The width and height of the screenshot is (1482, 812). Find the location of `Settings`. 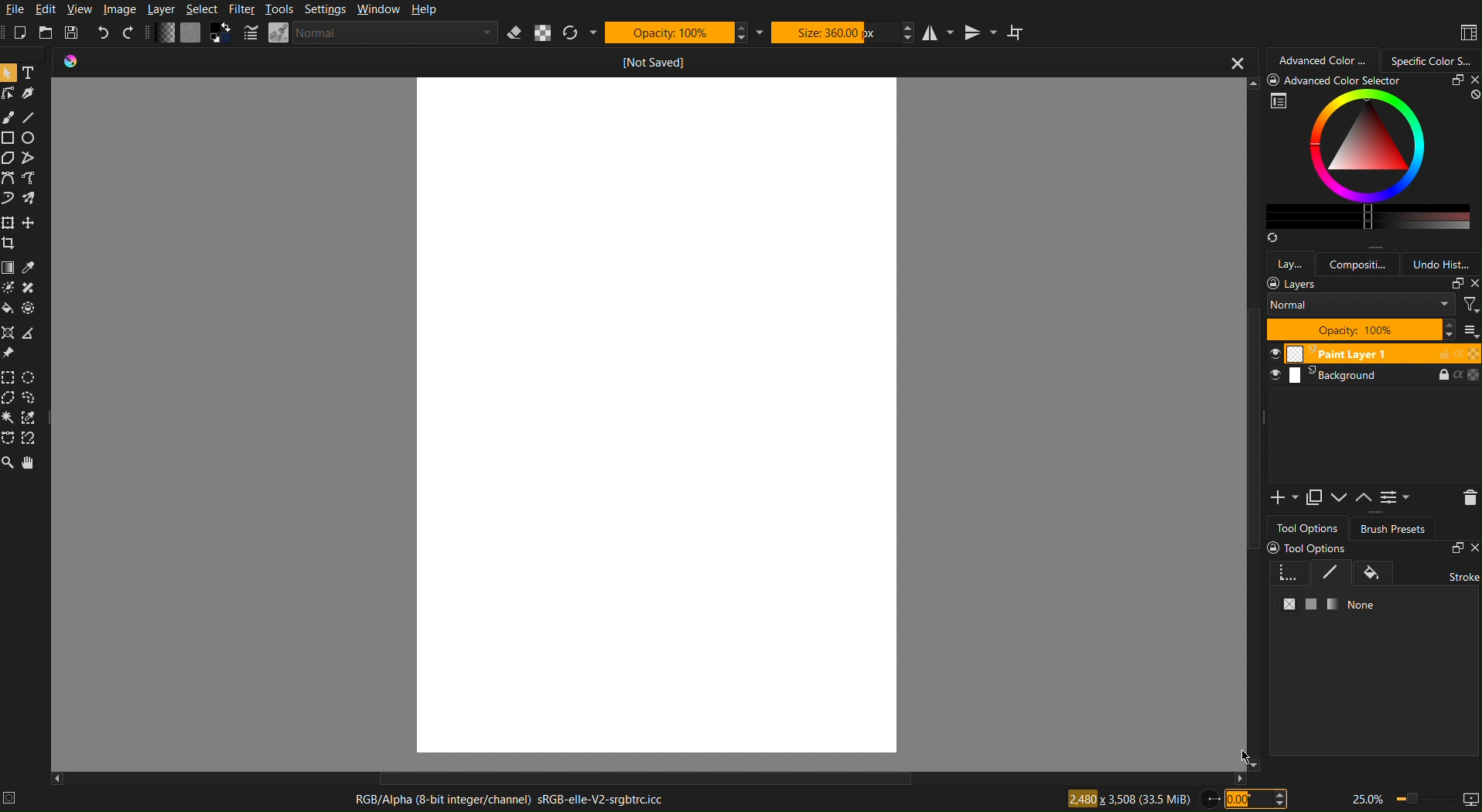

Settings is located at coordinates (1396, 499).